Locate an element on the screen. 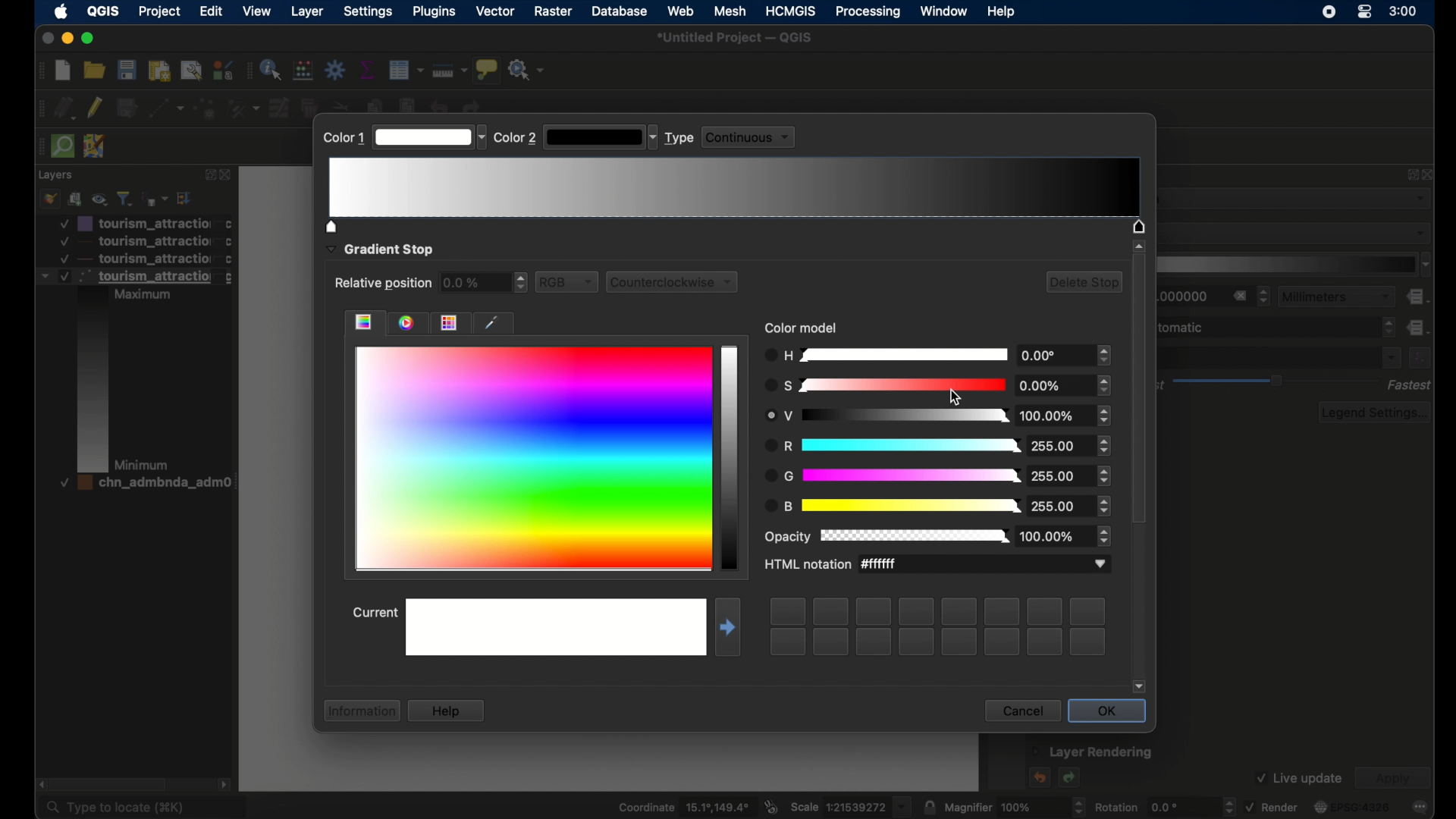  open project is located at coordinates (95, 70).